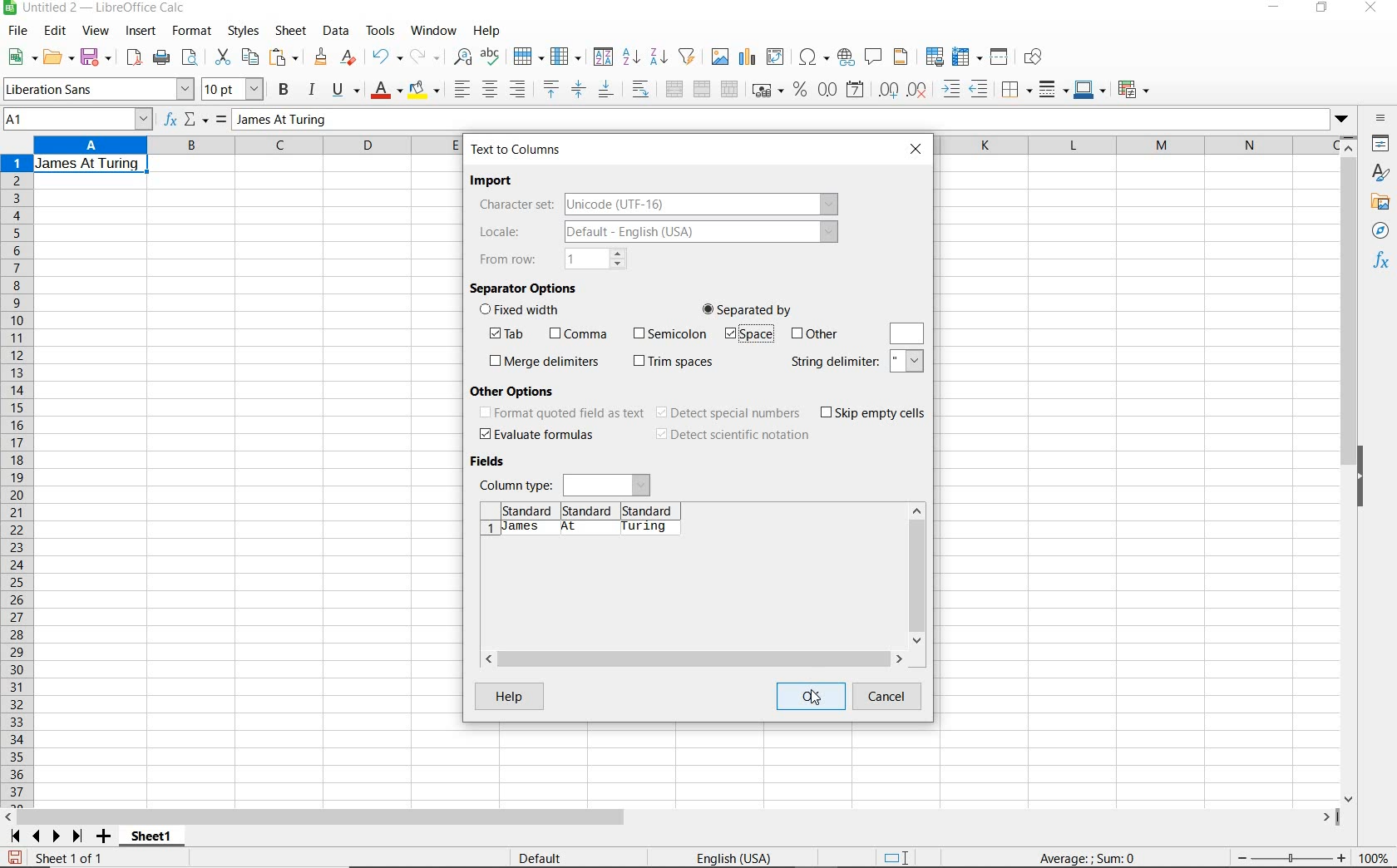 Image resolution: width=1397 pixels, height=868 pixels. I want to click on align right, so click(518, 91).